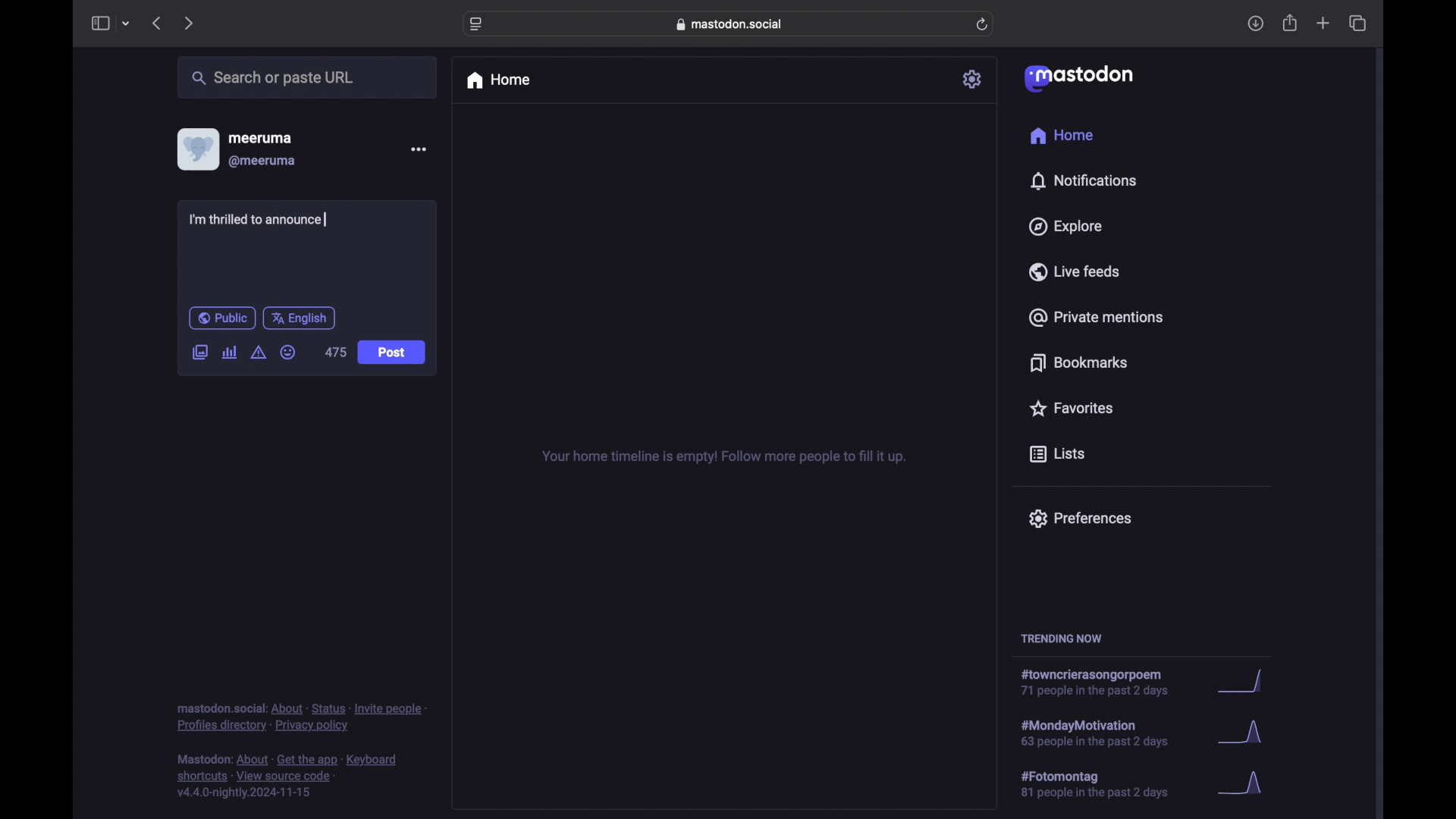  Describe the element at coordinates (287, 777) in the screenshot. I see `footnote` at that location.